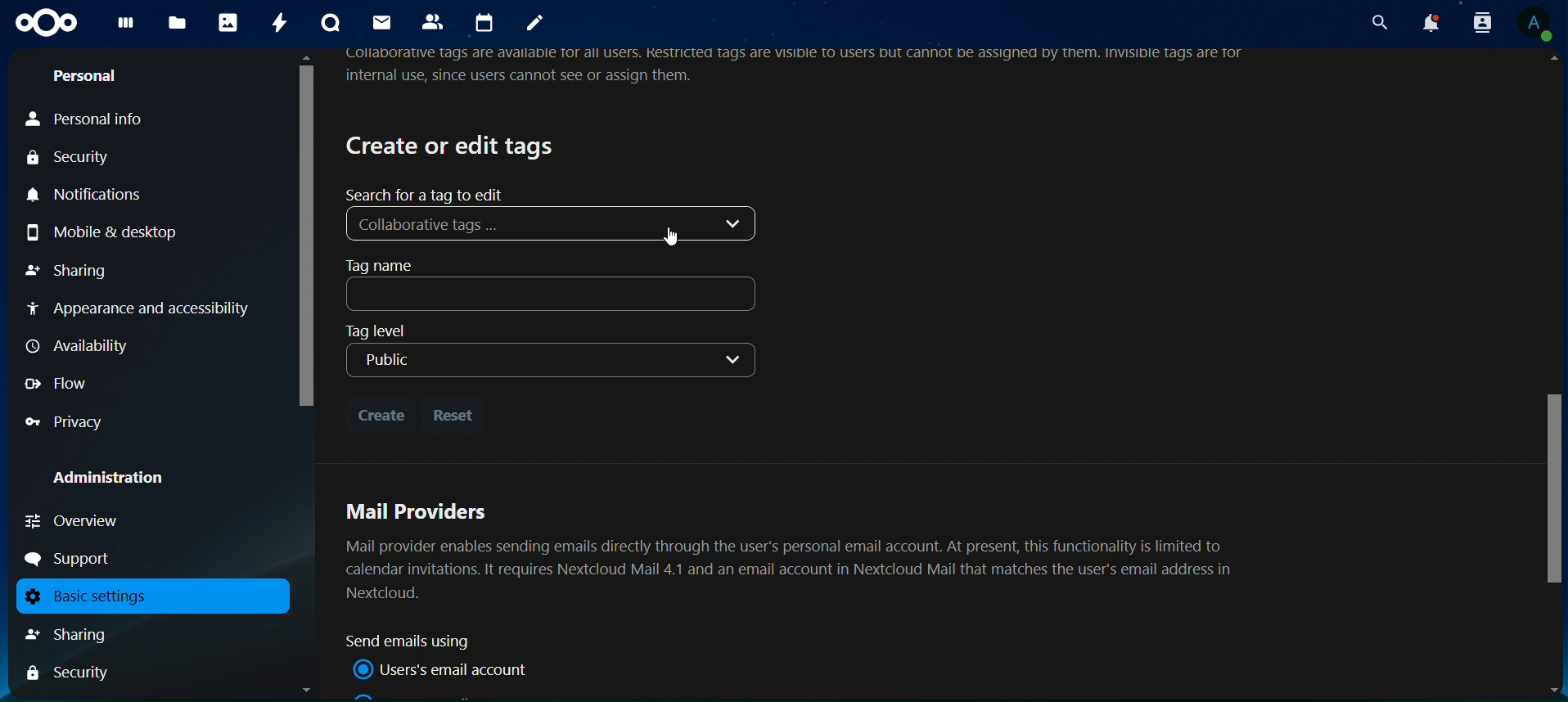  What do you see at coordinates (74, 520) in the screenshot?
I see `overview` at bounding box center [74, 520].